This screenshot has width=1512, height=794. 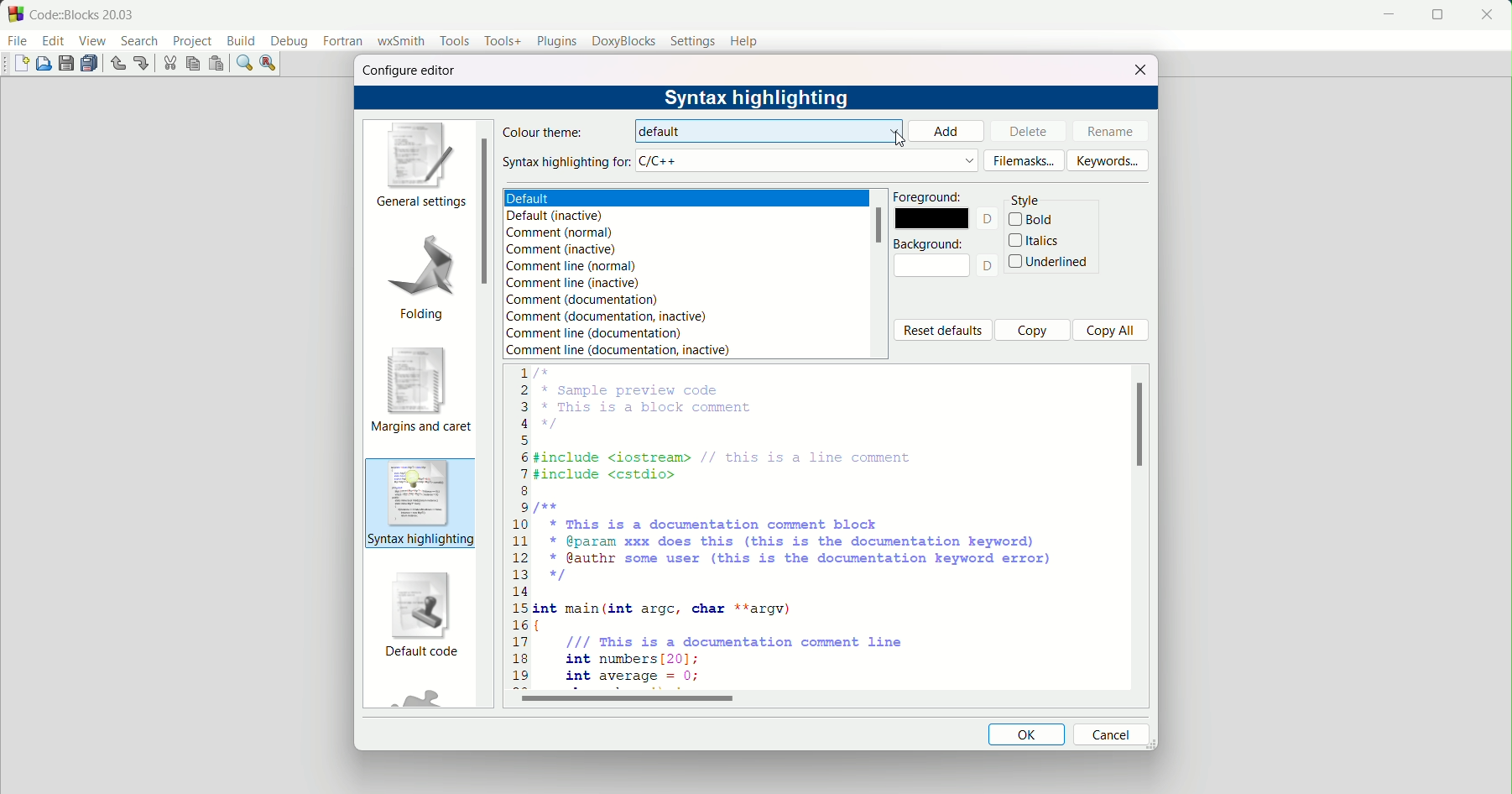 What do you see at coordinates (93, 41) in the screenshot?
I see `view` at bounding box center [93, 41].